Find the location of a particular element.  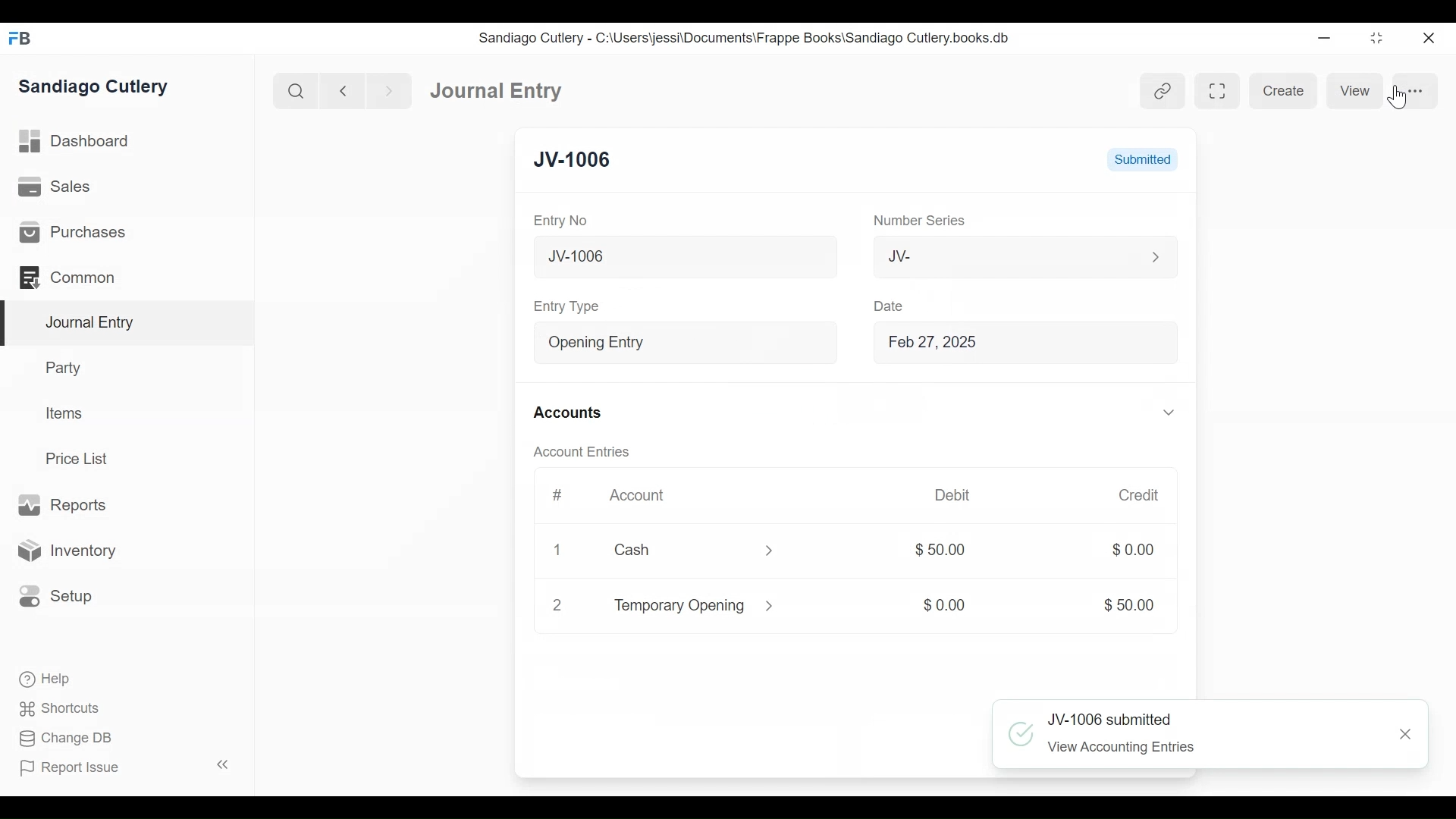

Setup is located at coordinates (56, 597).